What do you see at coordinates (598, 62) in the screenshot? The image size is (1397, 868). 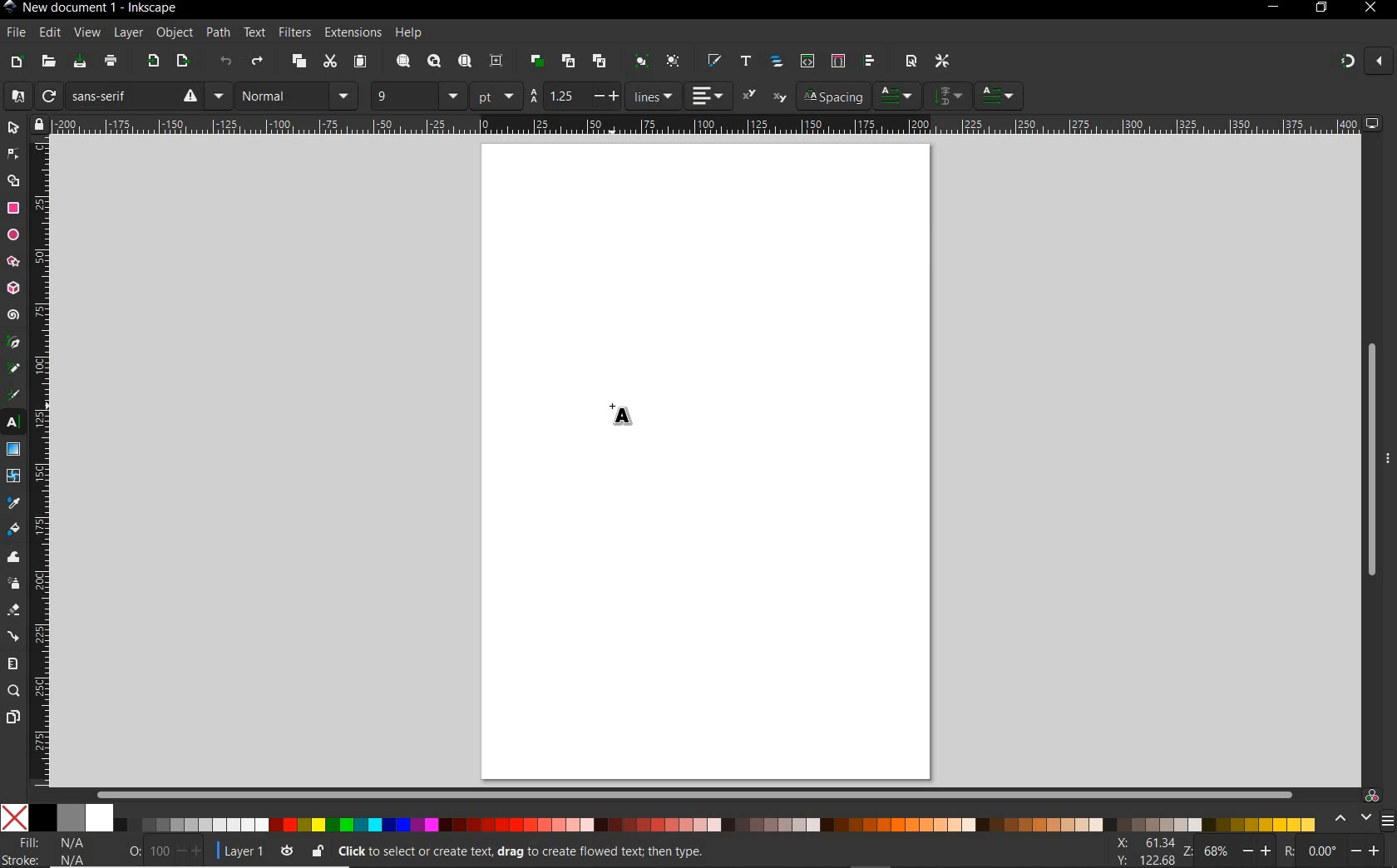 I see `unlink clone` at bounding box center [598, 62].